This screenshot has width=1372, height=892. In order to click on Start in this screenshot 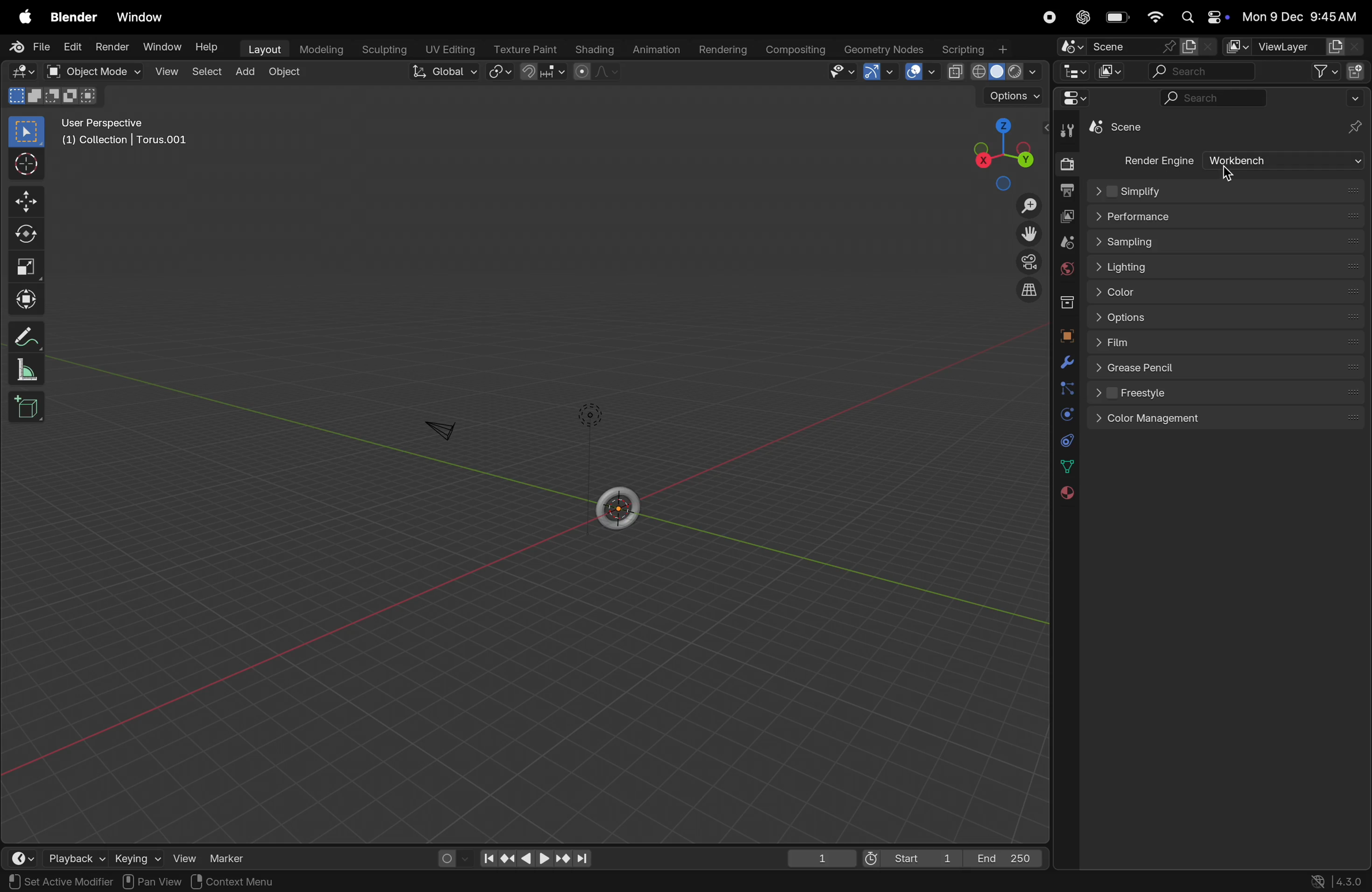, I will do `click(909, 857)`.